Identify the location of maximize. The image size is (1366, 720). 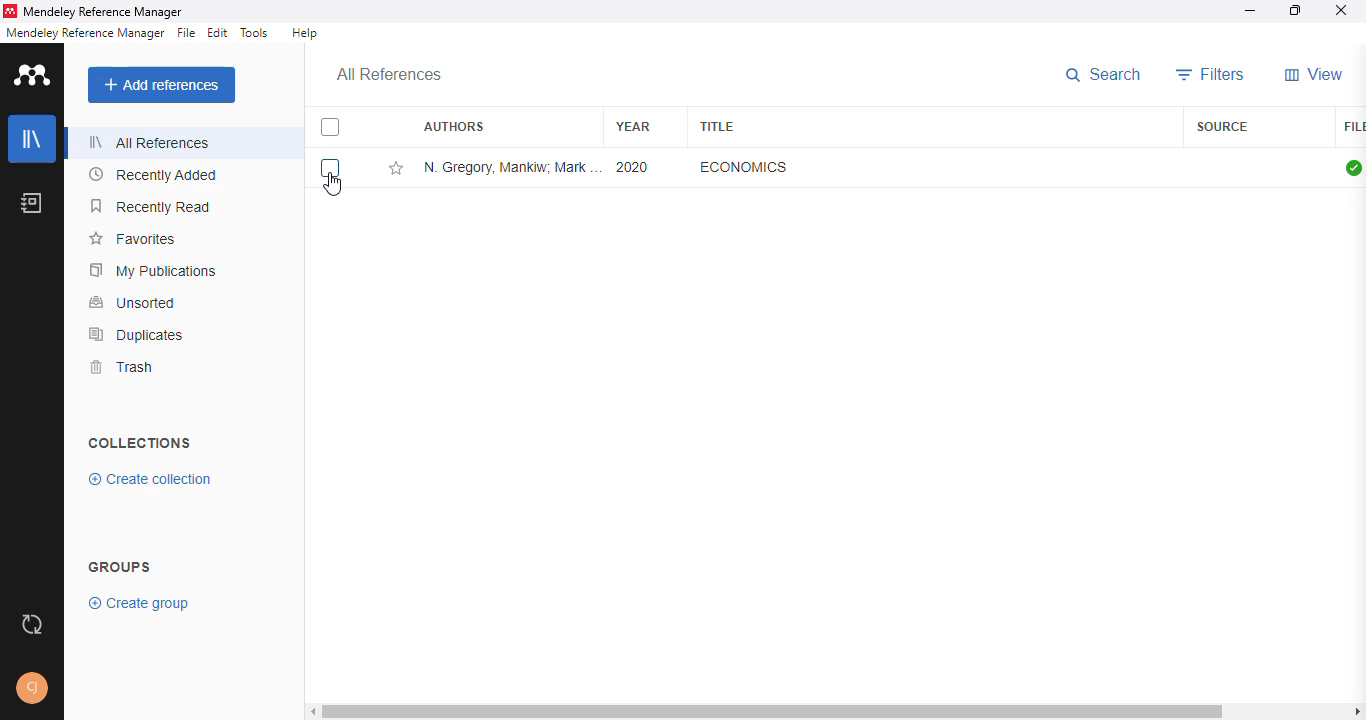
(1296, 10).